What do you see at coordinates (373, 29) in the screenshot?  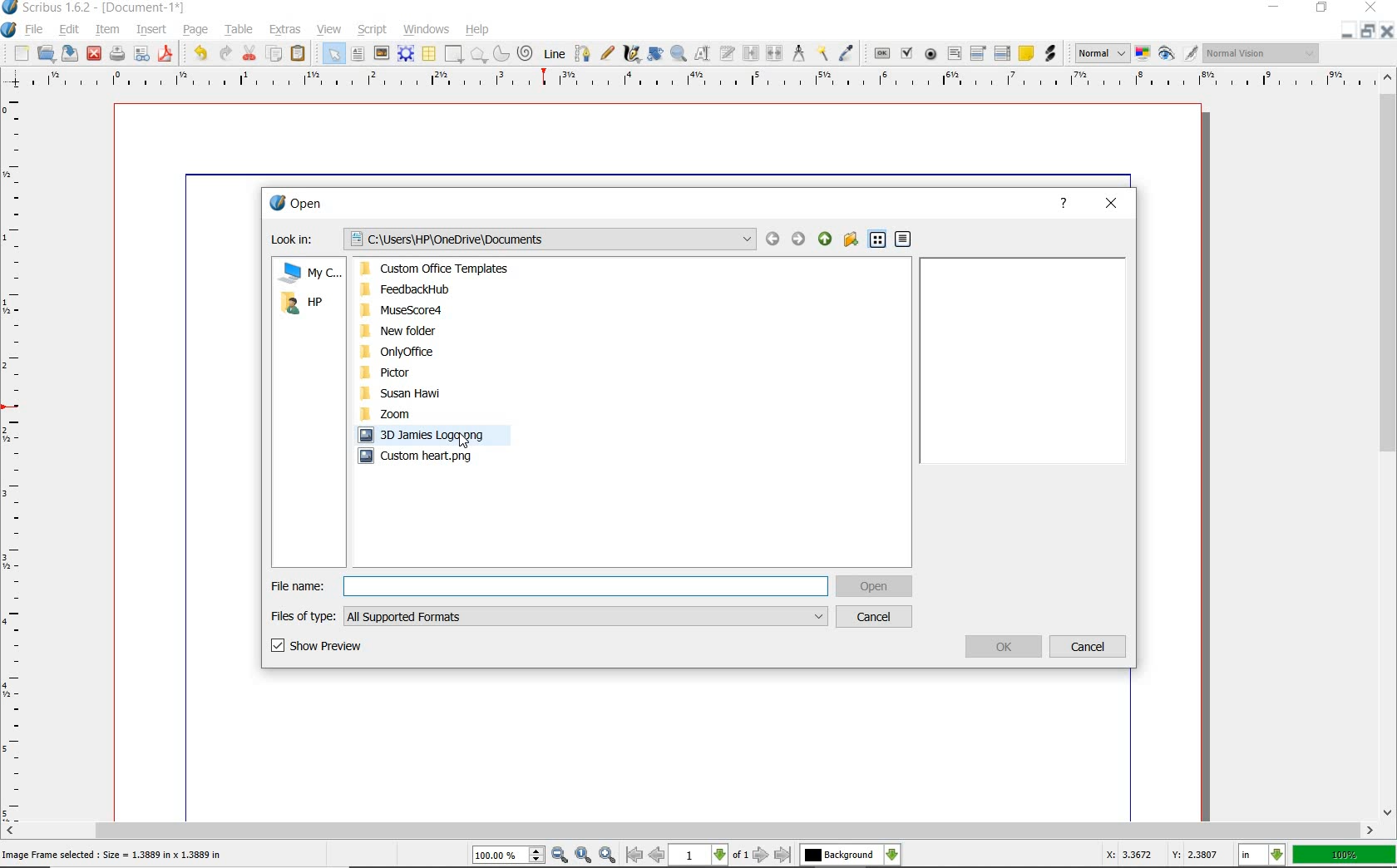 I see `script` at bounding box center [373, 29].